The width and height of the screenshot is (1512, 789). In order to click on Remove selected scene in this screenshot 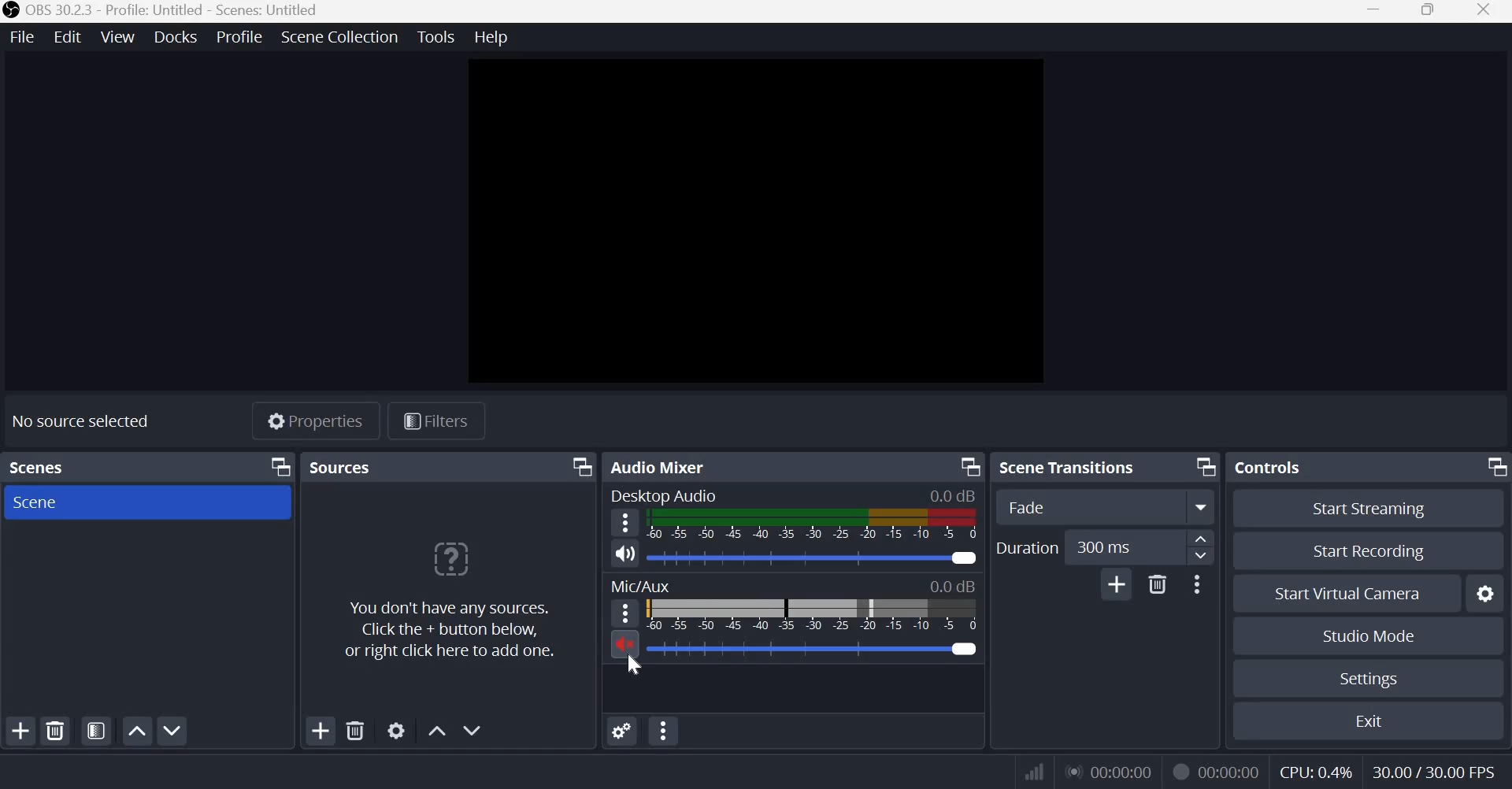, I will do `click(54, 729)`.